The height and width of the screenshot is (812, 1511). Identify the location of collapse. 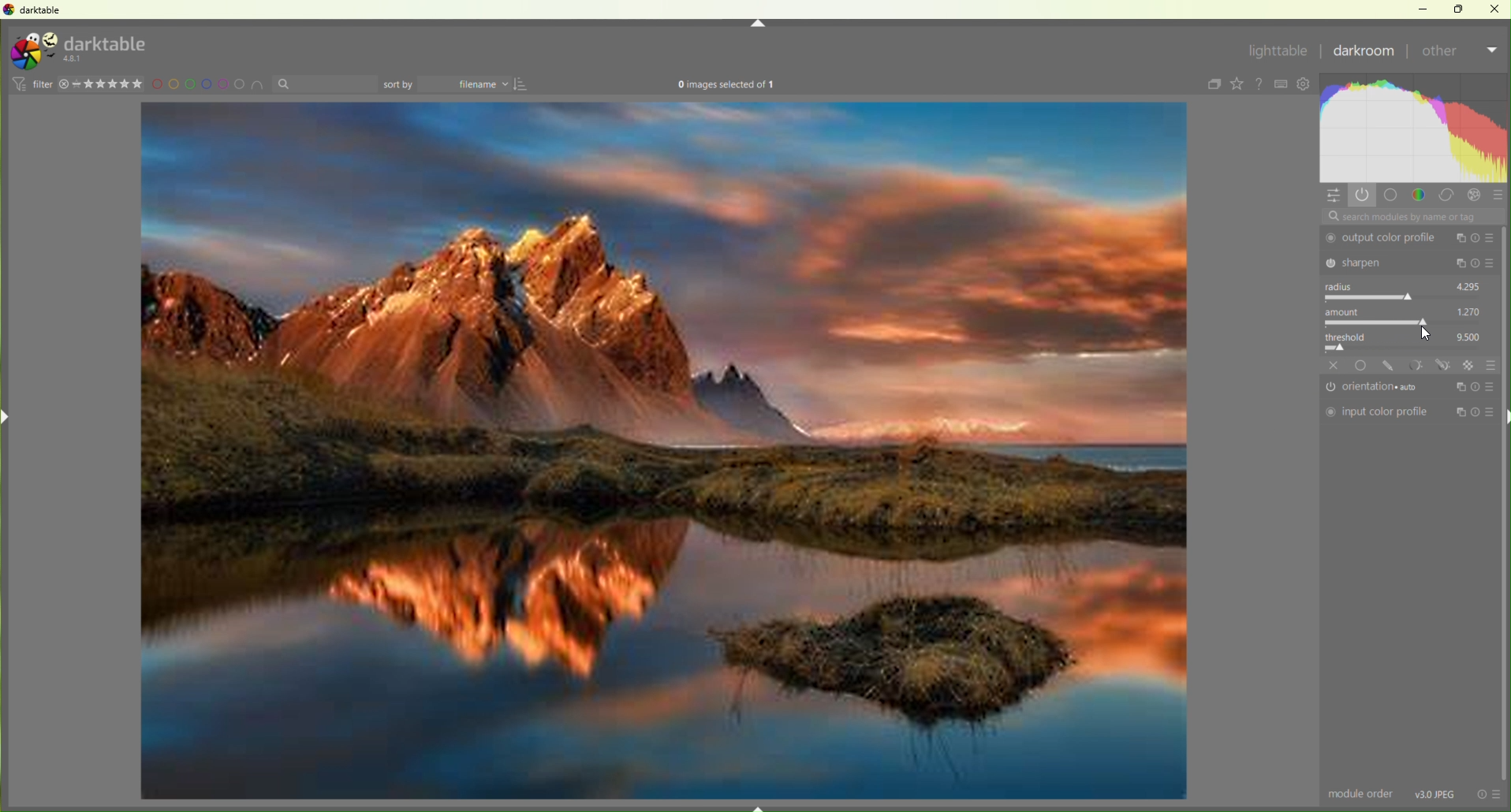
(1211, 85).